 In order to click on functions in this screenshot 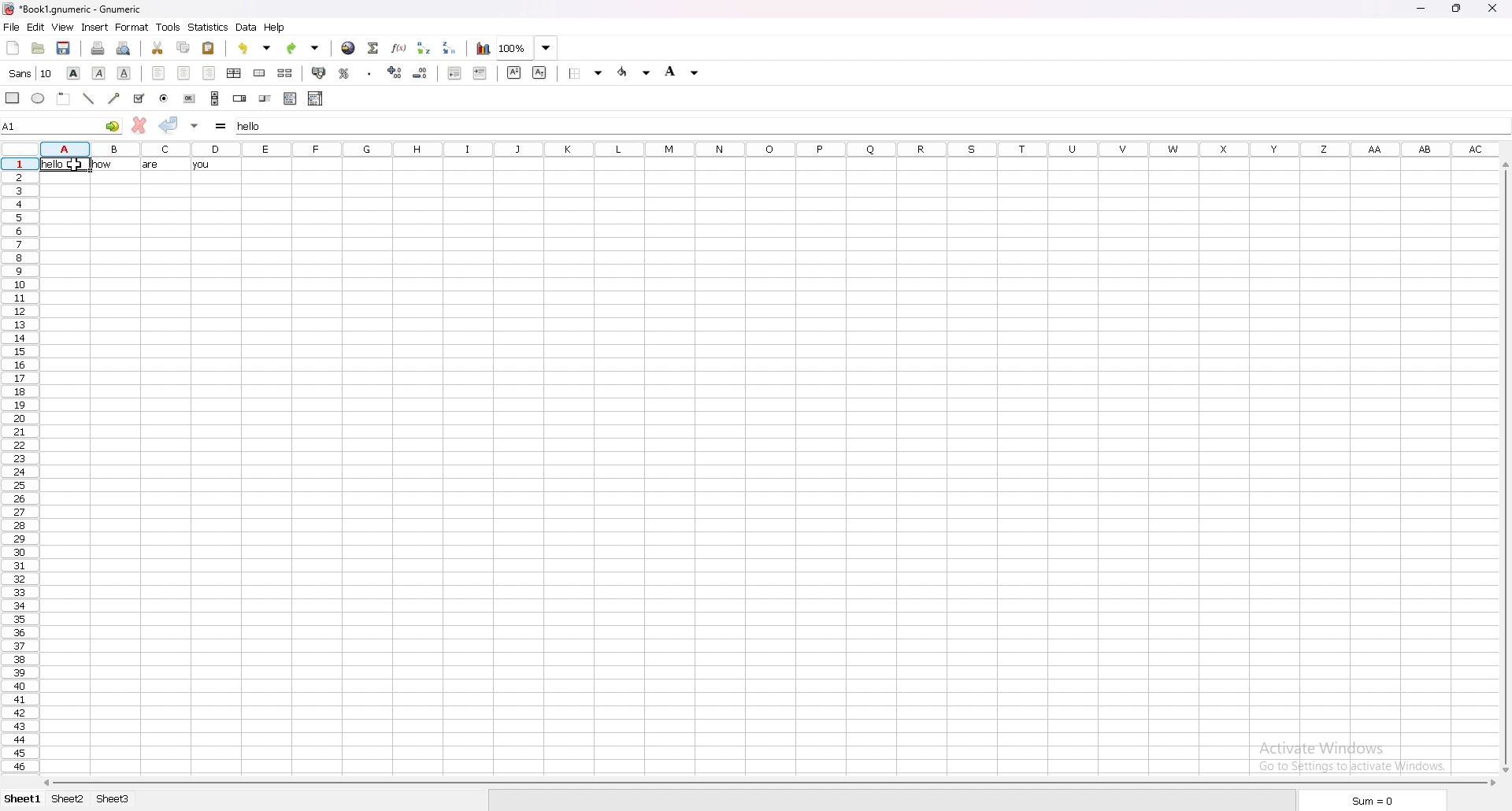, I will do `click(399, 47)`.